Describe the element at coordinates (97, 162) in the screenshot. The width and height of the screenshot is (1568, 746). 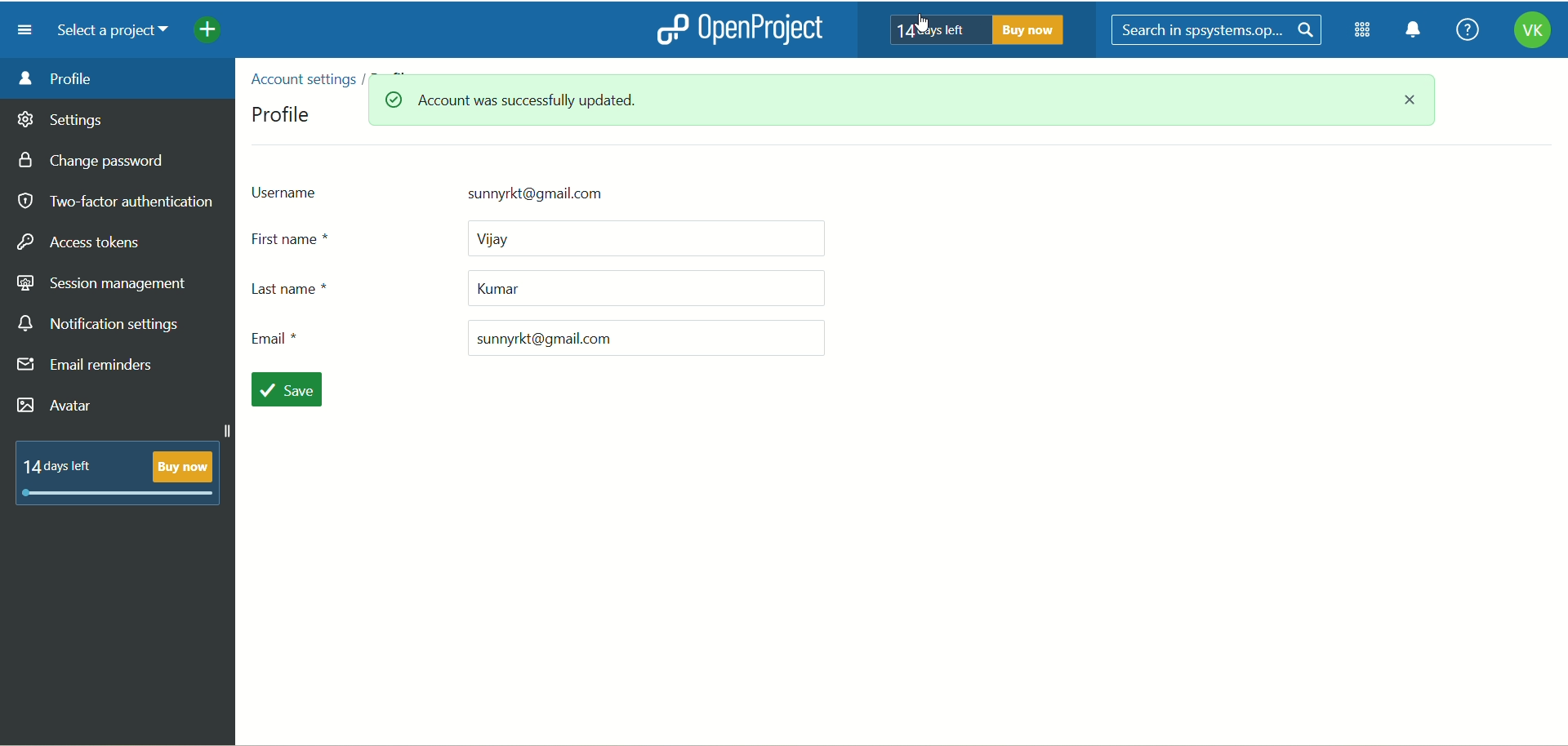
I see `change password` at that location.